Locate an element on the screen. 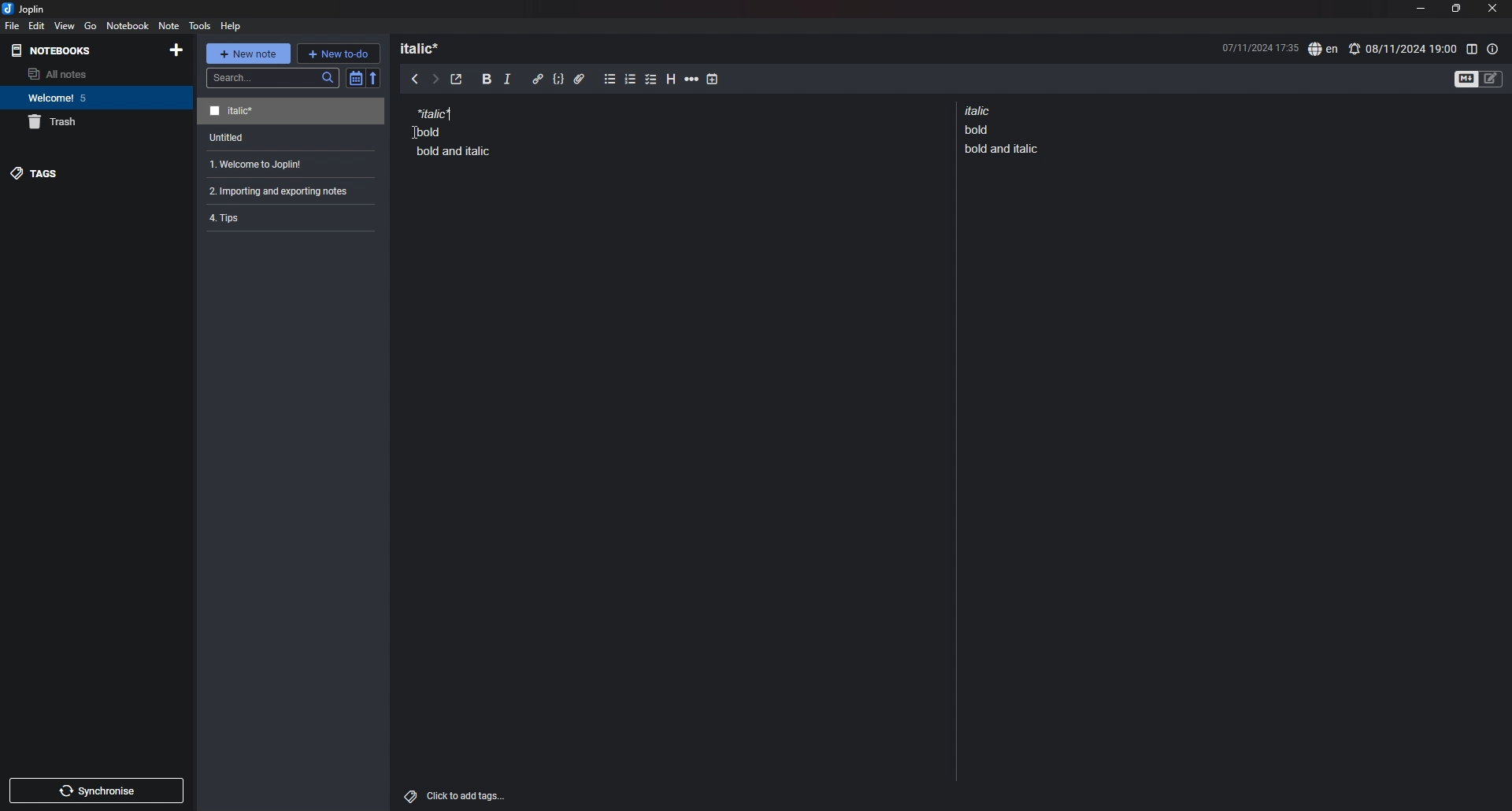 This screenshot has height=811, width=1512. toggle sort order is located at coordinates (355, 78).